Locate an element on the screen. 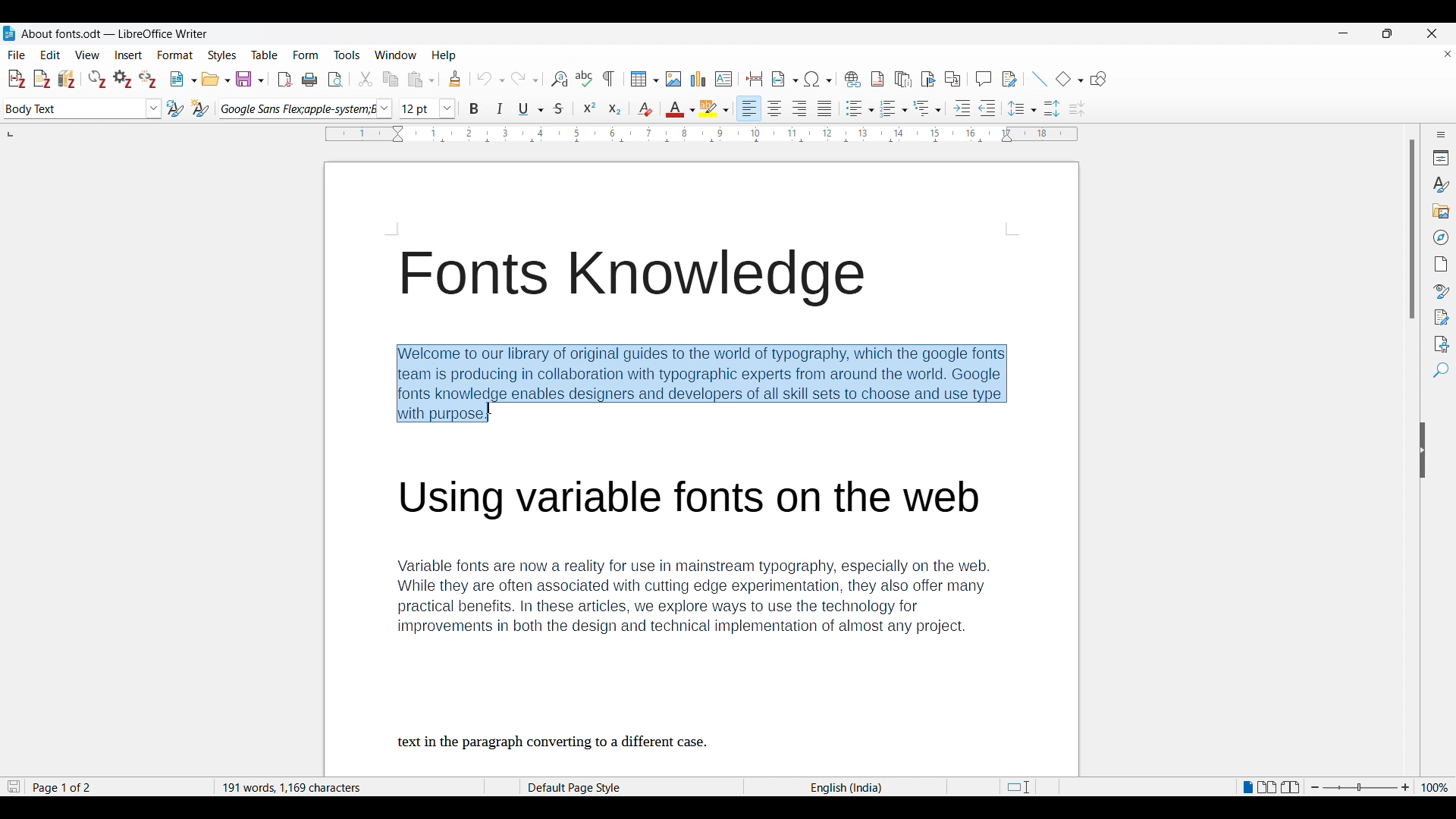  Font options is located at coordinates (306, 108).